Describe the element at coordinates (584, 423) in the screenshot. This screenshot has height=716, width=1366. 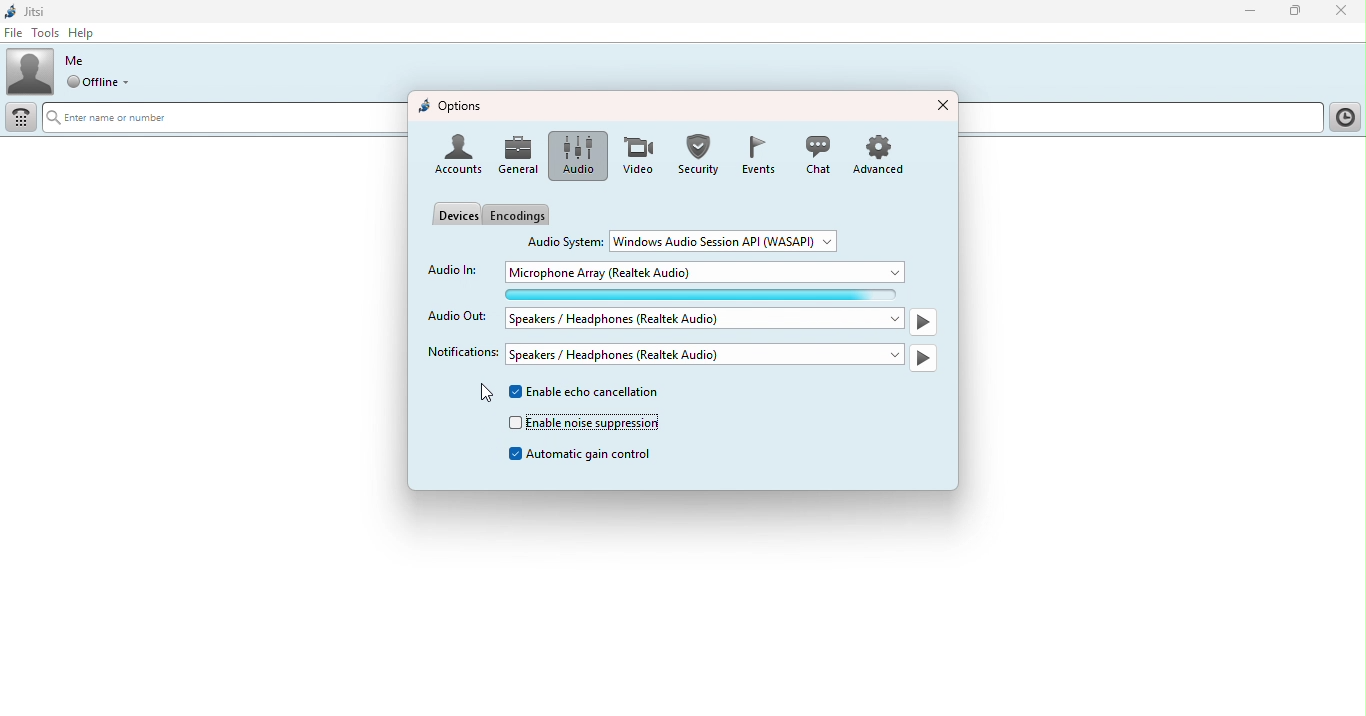
I see `Enable noise suppression` at that location.